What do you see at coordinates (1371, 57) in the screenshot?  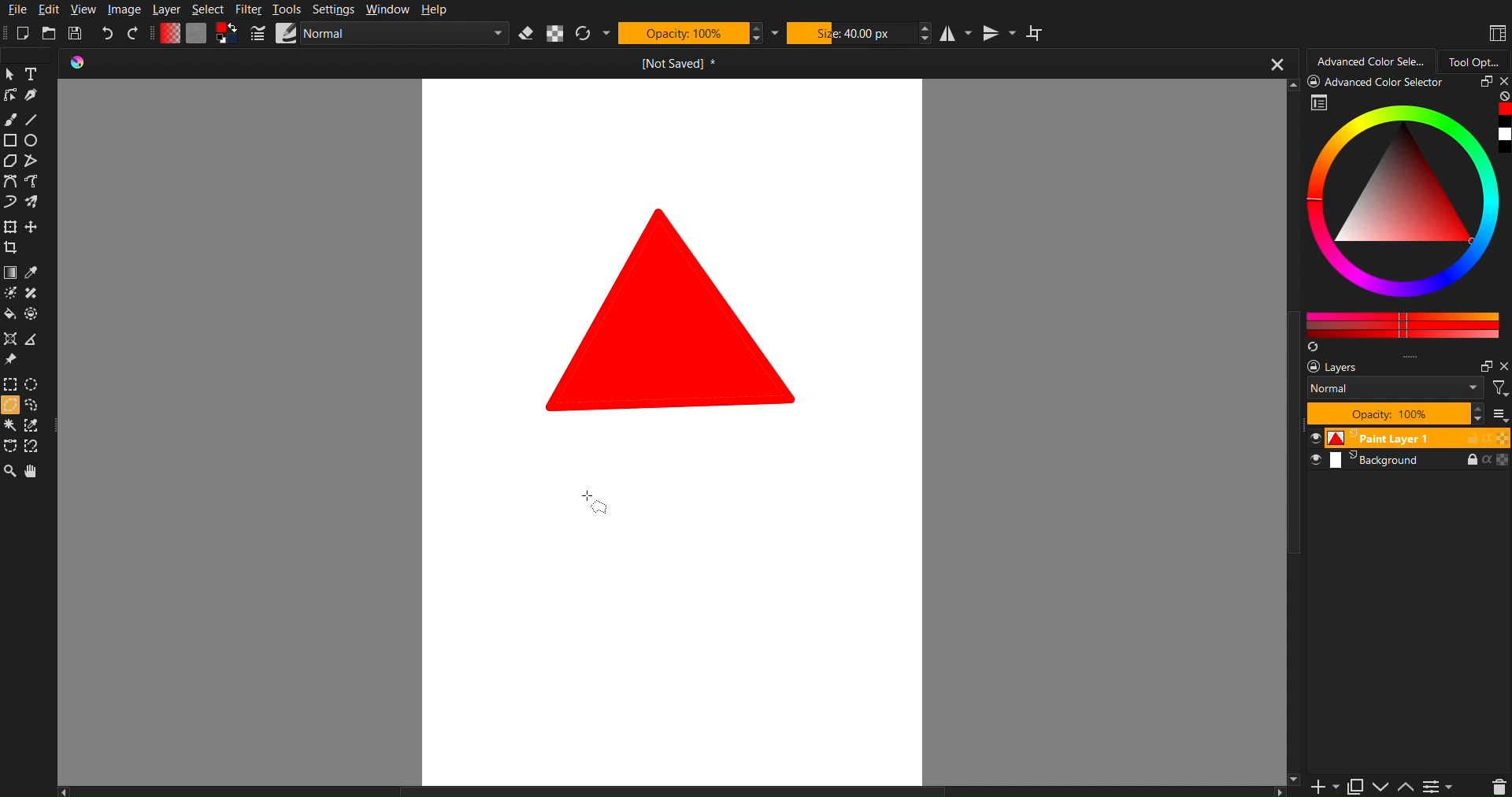 I see `Advanced Color Selector` at bounding box center [1371, 57].